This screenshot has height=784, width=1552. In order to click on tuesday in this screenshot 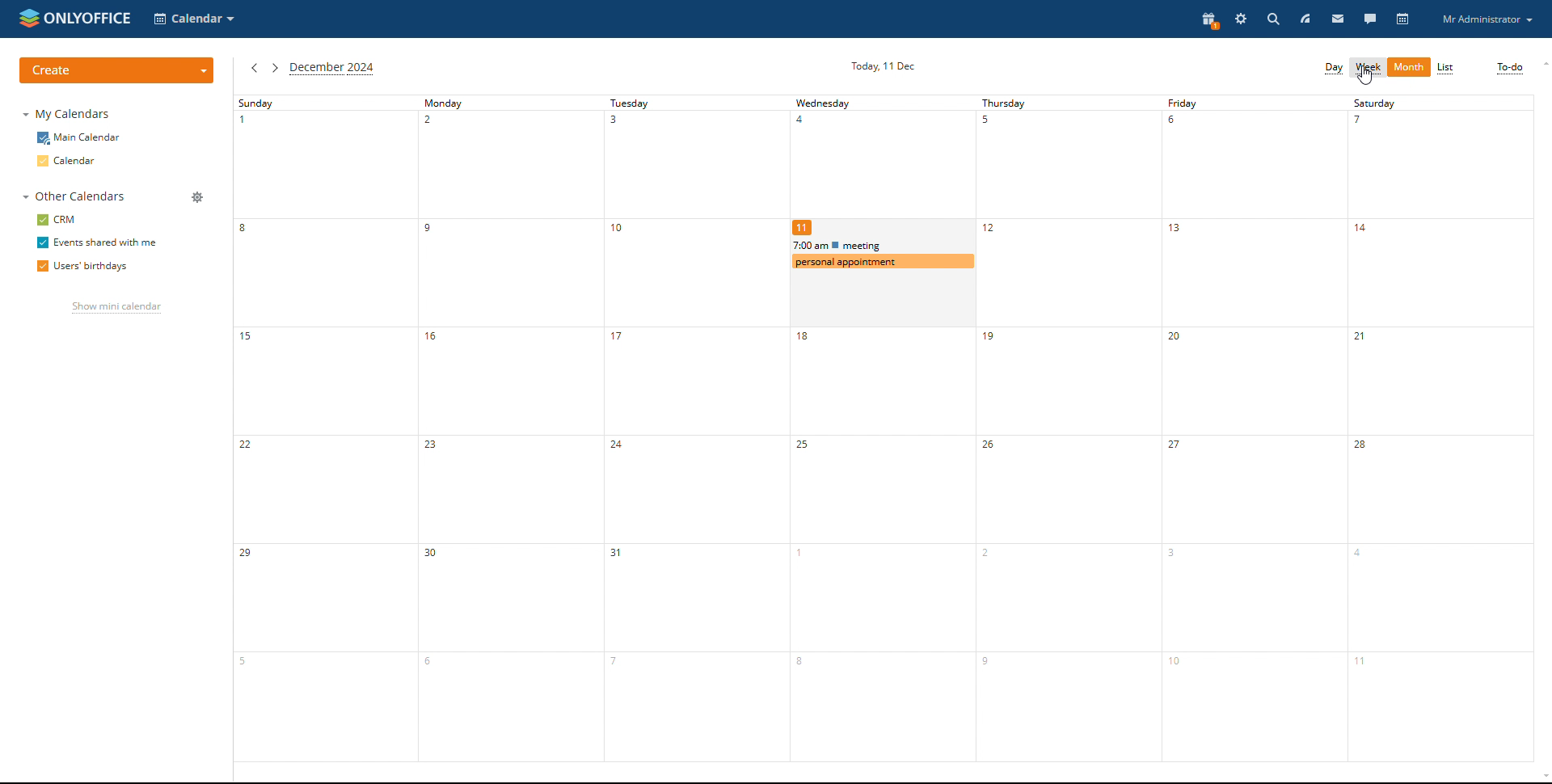, I will do `click(694, 428)`.